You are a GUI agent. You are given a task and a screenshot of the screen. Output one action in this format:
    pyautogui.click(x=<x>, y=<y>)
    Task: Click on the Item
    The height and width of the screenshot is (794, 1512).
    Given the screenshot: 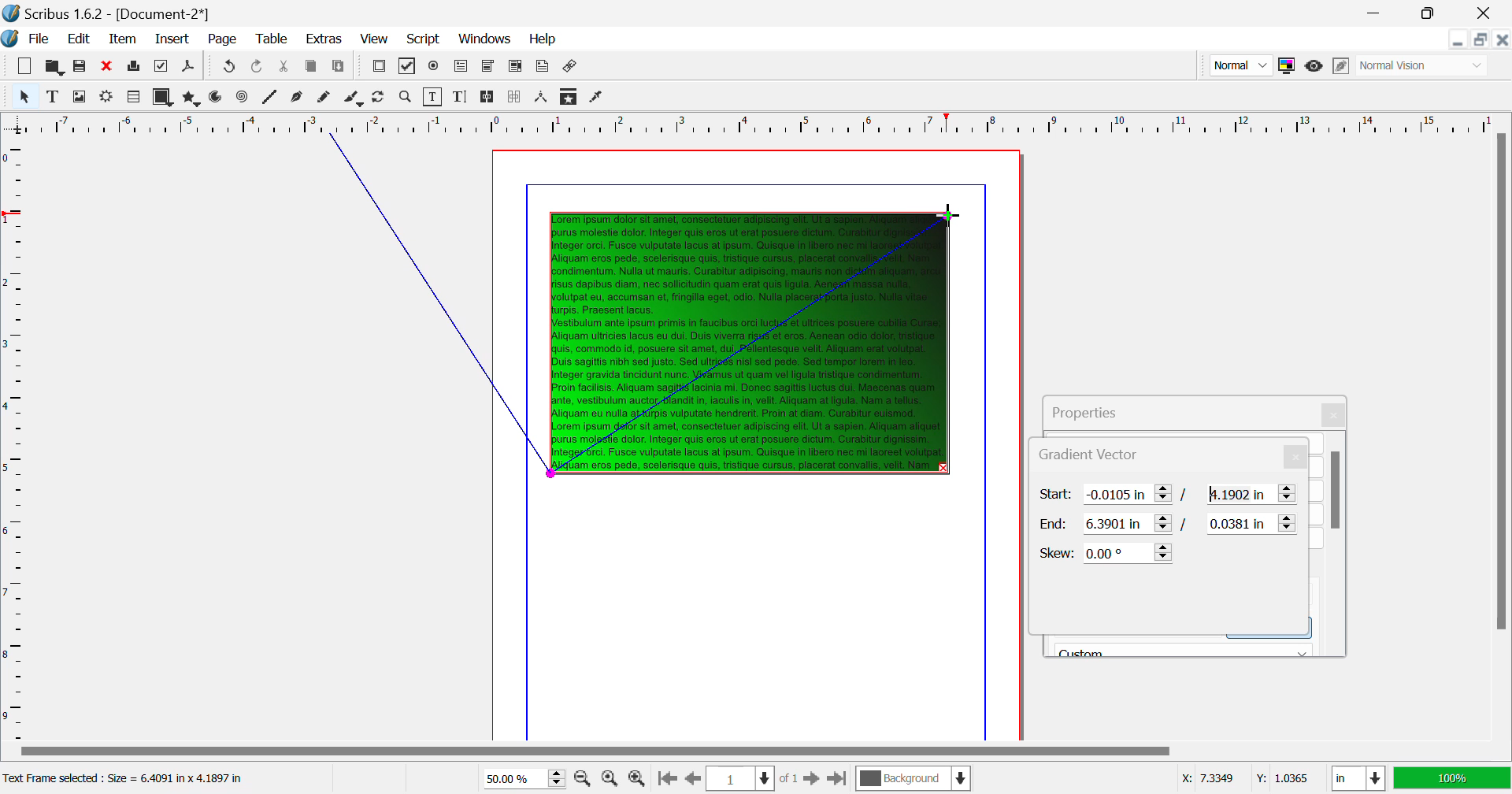 What is the action you would take?
    pyautogui.click(x=124, y=39)
    